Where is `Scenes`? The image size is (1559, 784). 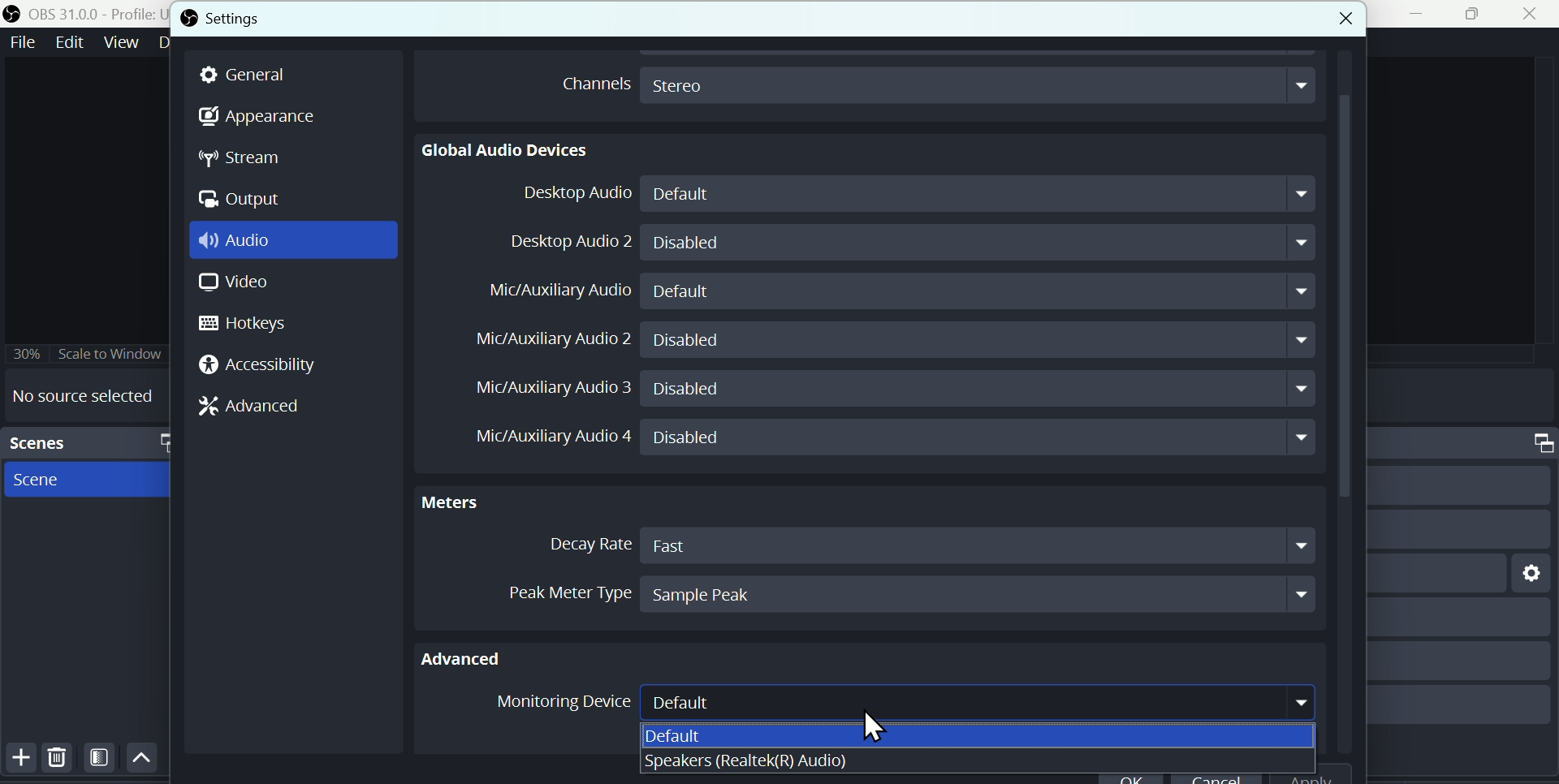 Scenes is located at coordinates (58, 442).